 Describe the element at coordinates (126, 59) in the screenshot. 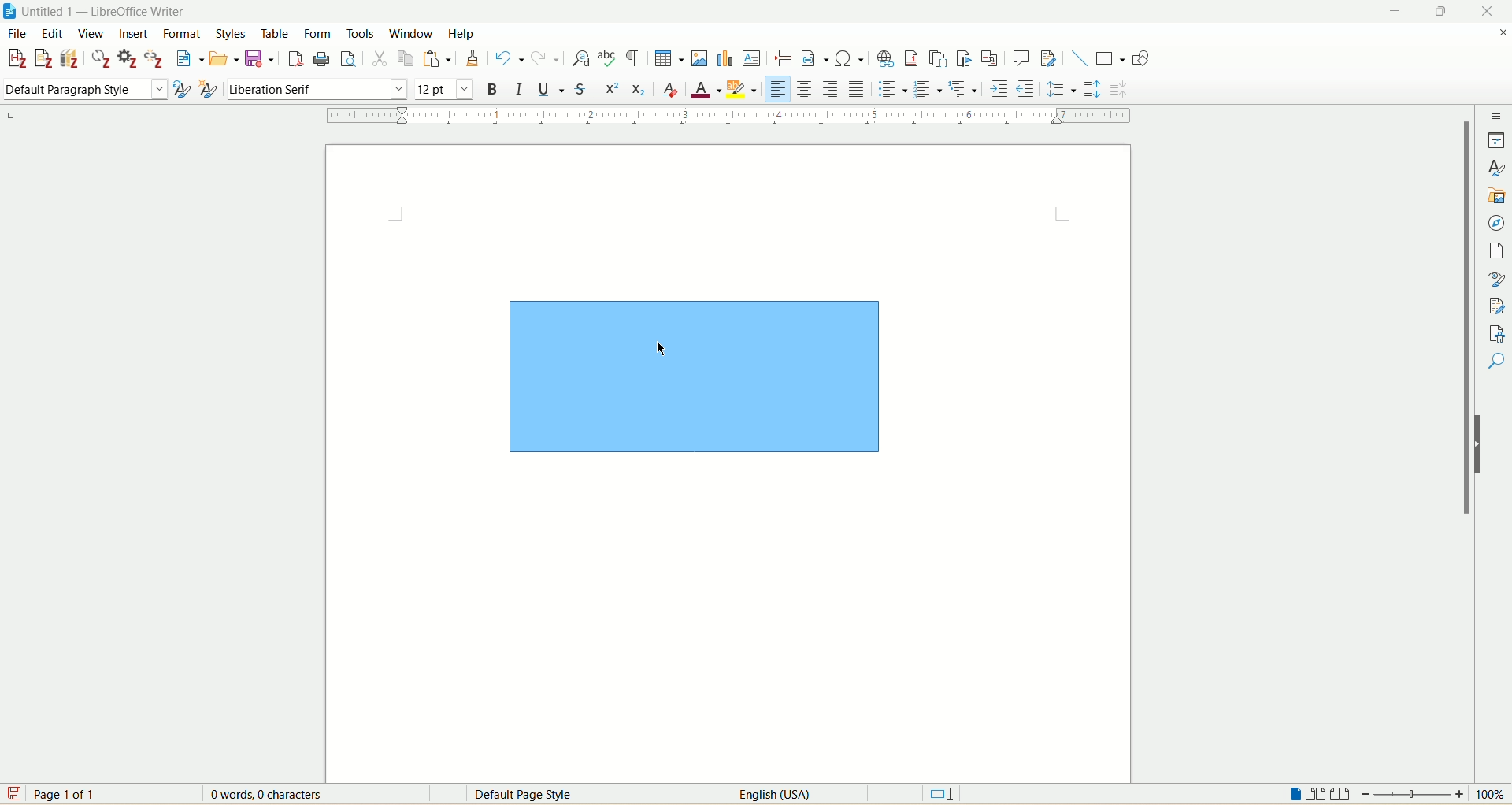

I see `document preferences` at that location.